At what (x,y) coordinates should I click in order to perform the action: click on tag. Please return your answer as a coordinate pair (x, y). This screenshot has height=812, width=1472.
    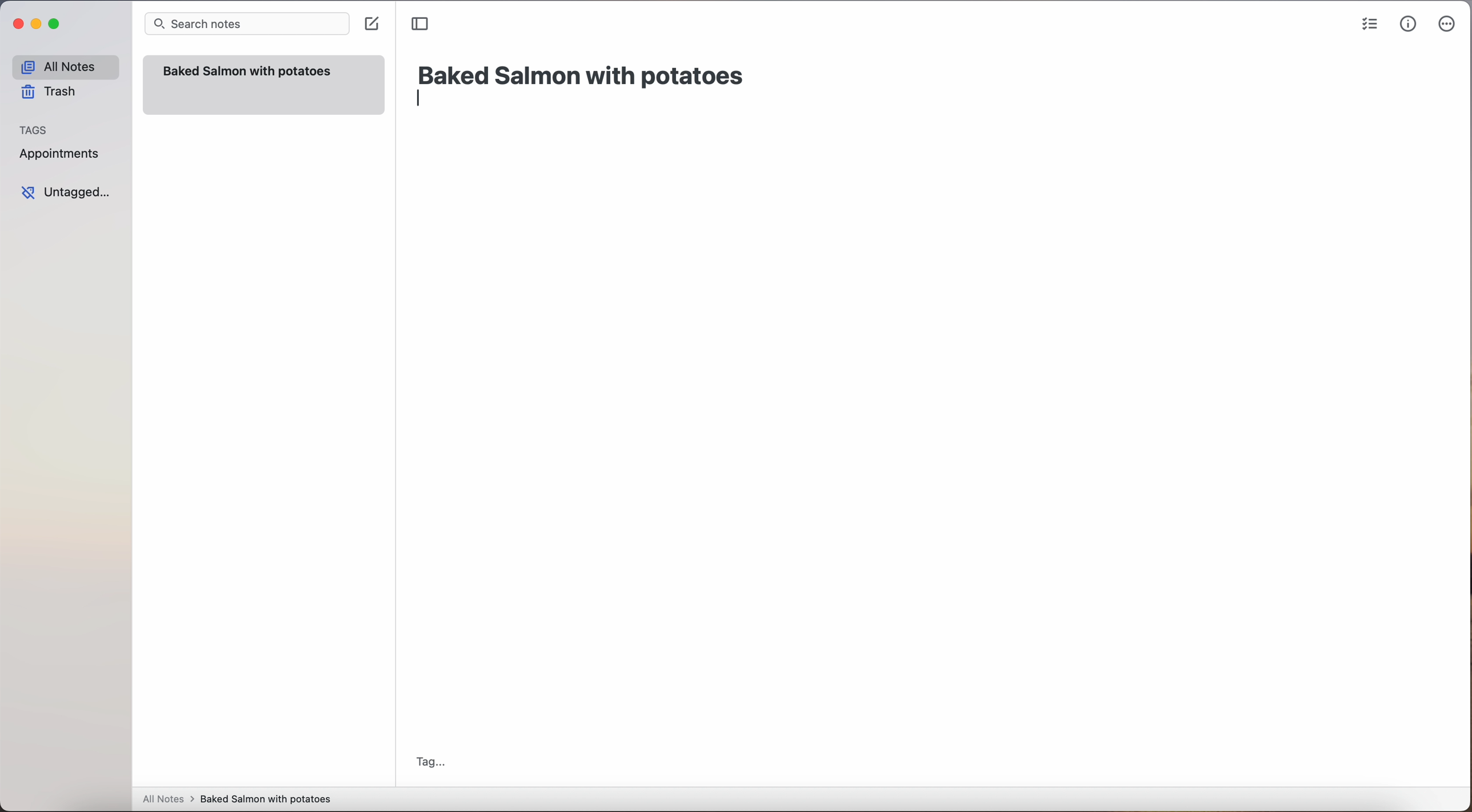
    Looking at the image, I should click on (430, 763).